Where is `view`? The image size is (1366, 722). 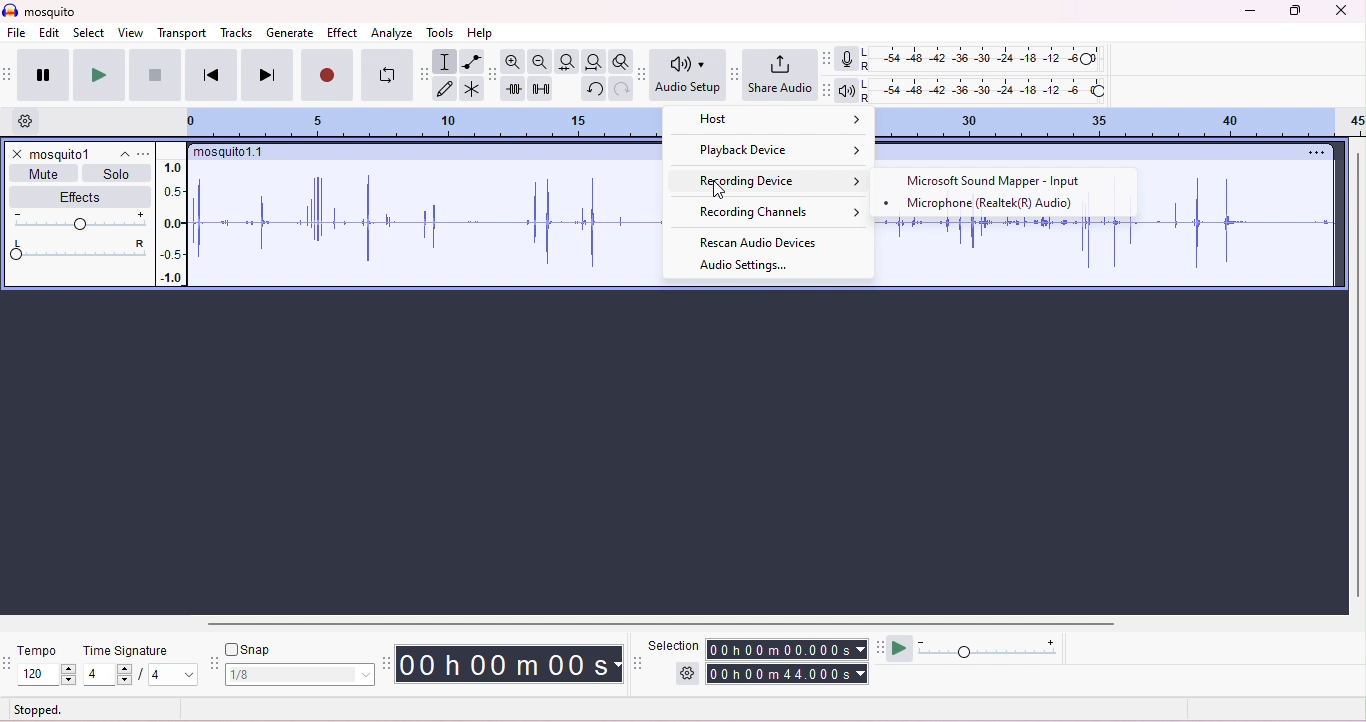
view is located at coordinates (130, 32).